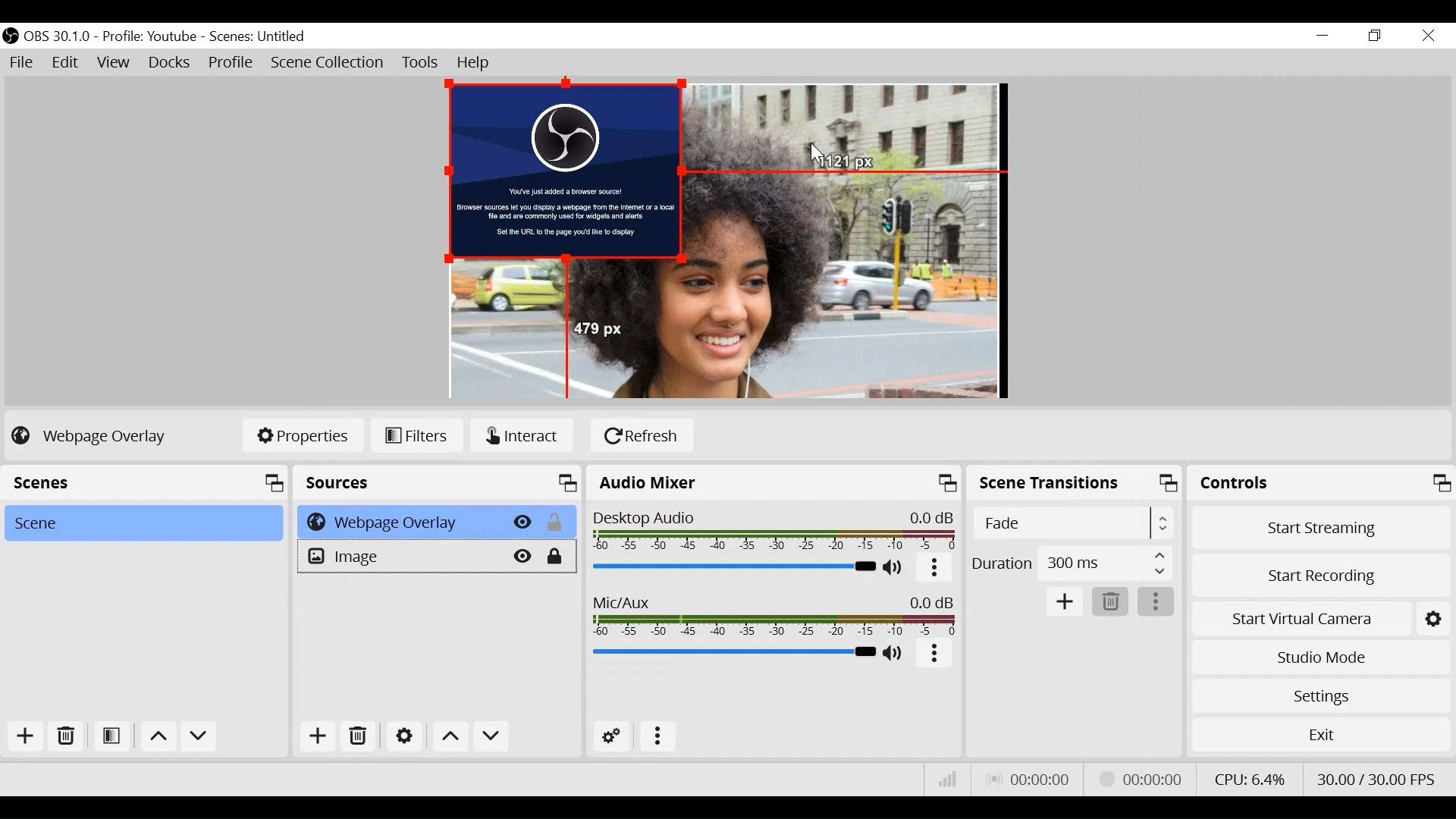 The height and width of the screenshot is (819, 1456). I want to click on Desktop Audio Slider, so click(734, 568).